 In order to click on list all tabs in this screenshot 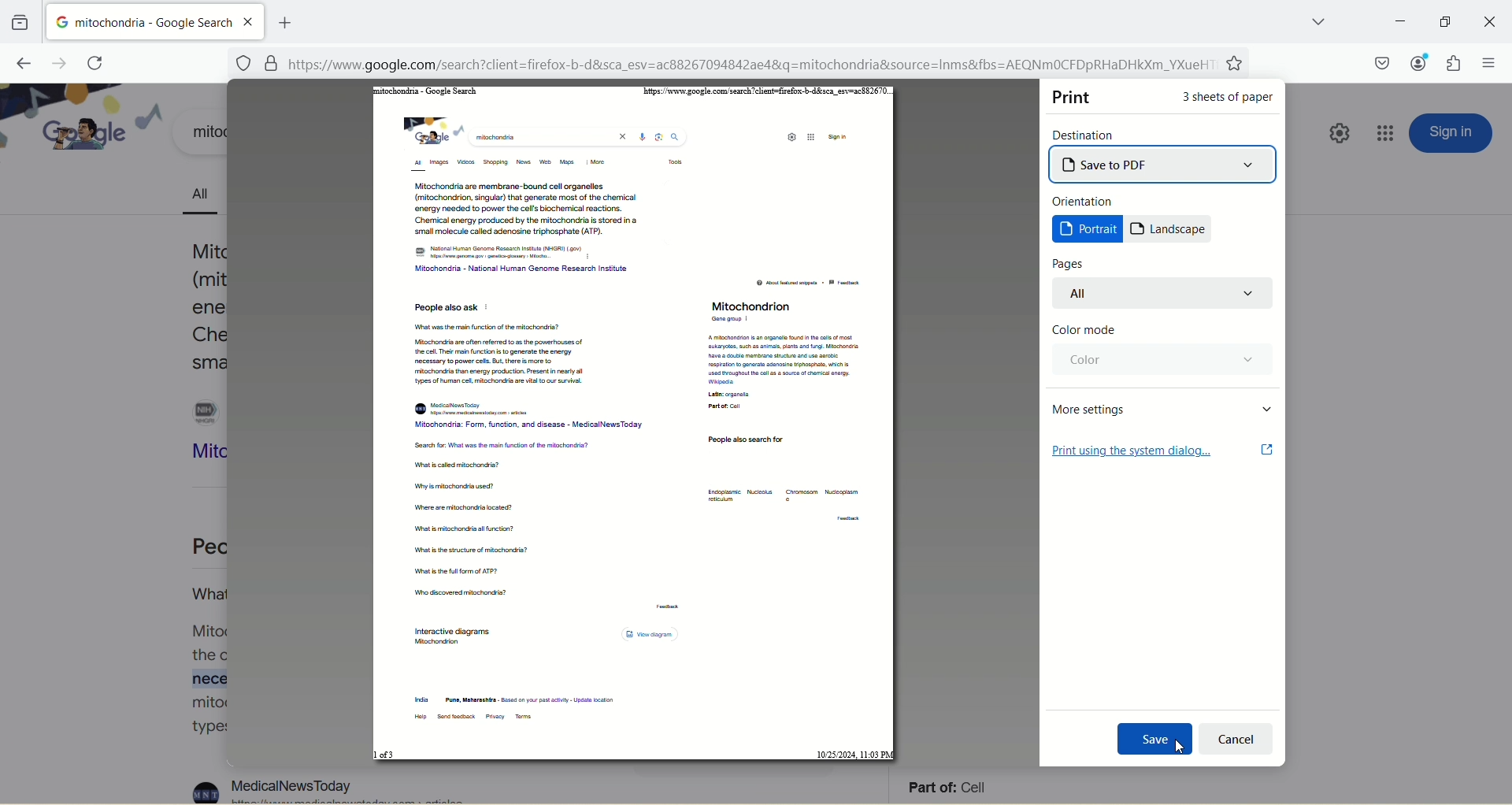, I will do `click(1306, 20)`.